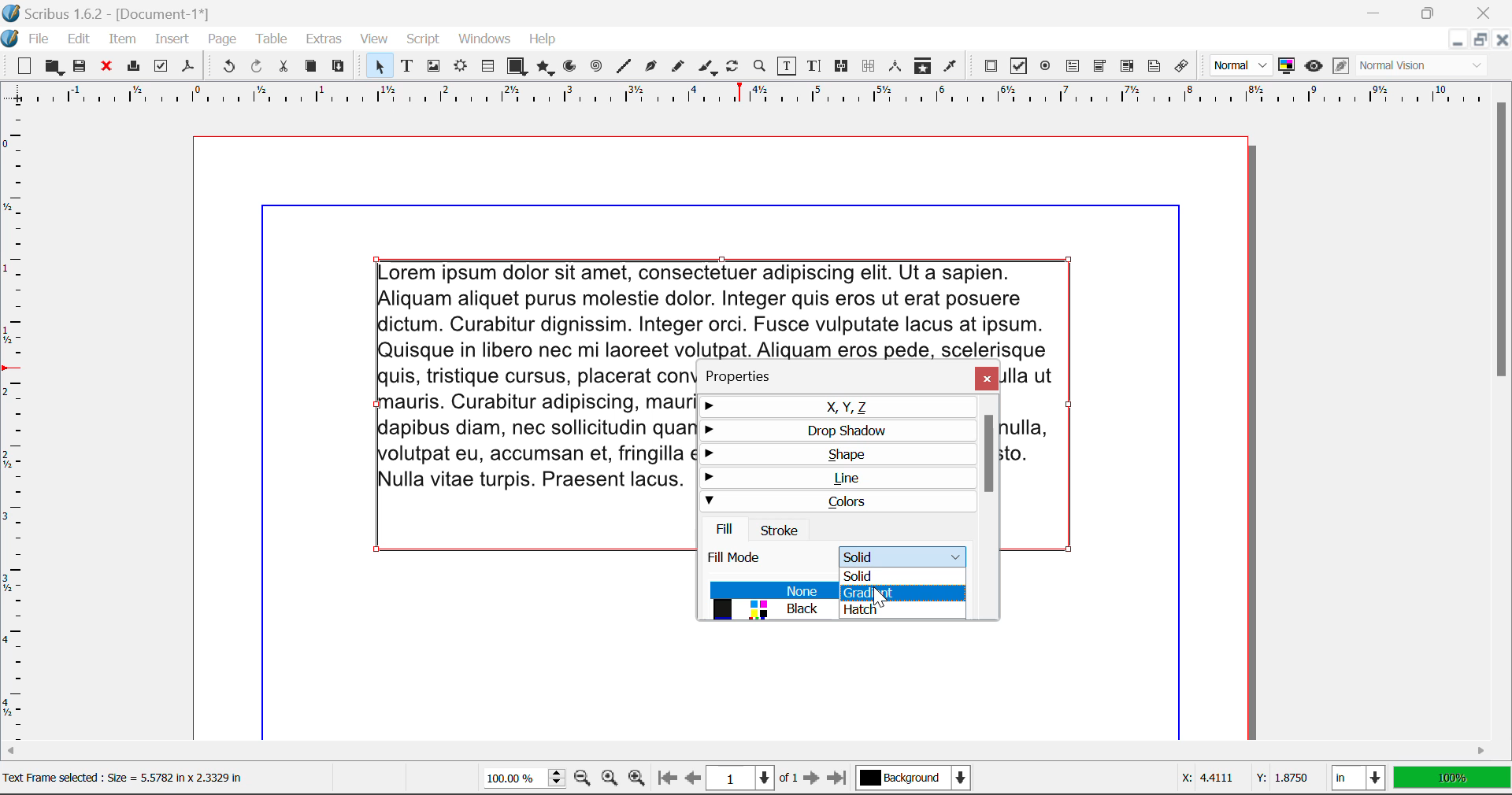 The image size is (1512, 795). What do you see at coordinates (10, 39) in the screenshot?
I see `scribus logo` at bounding box center [10, 39].